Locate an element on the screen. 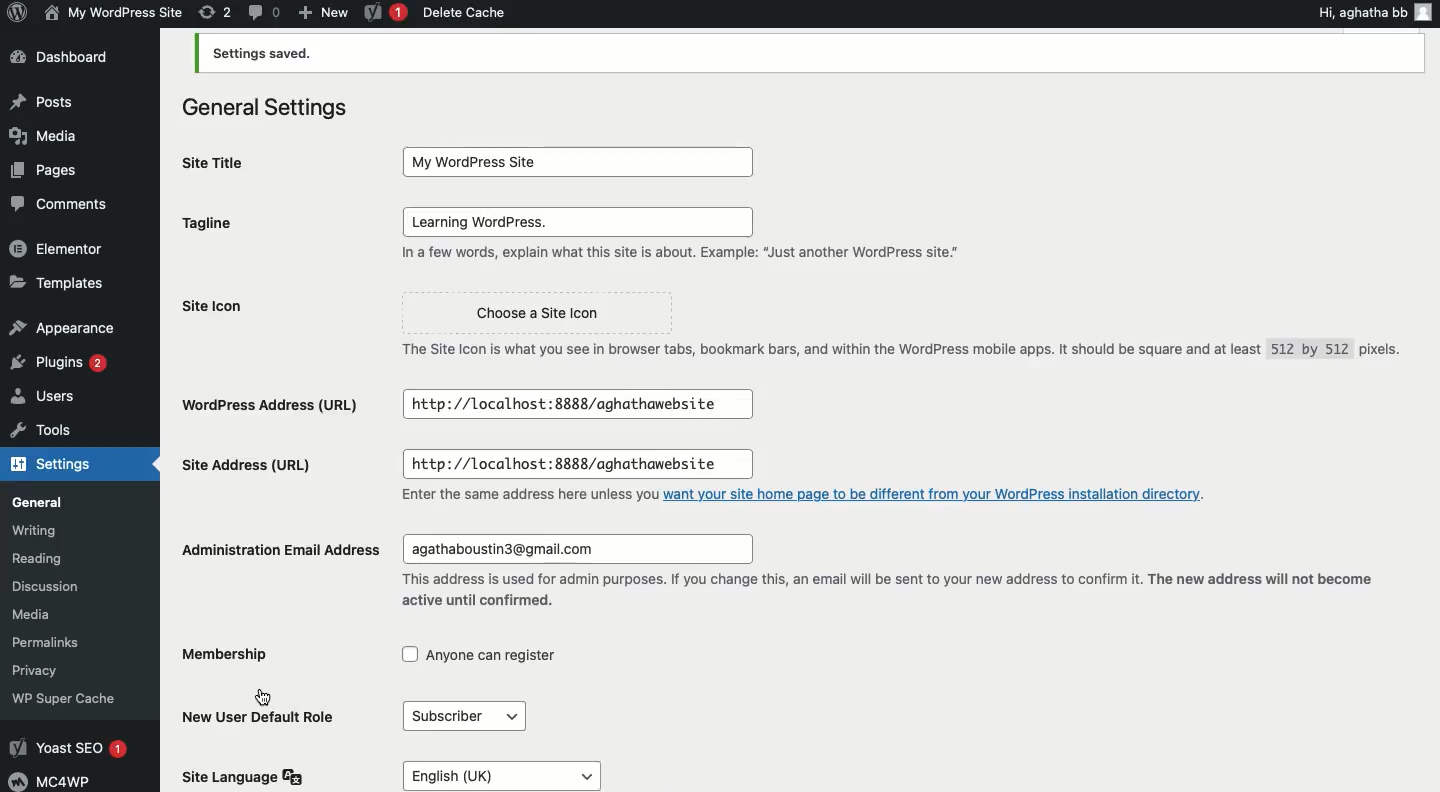 The height and width of the screenshot is (792, 1440). Appearance is located at coordinates (62, 324).